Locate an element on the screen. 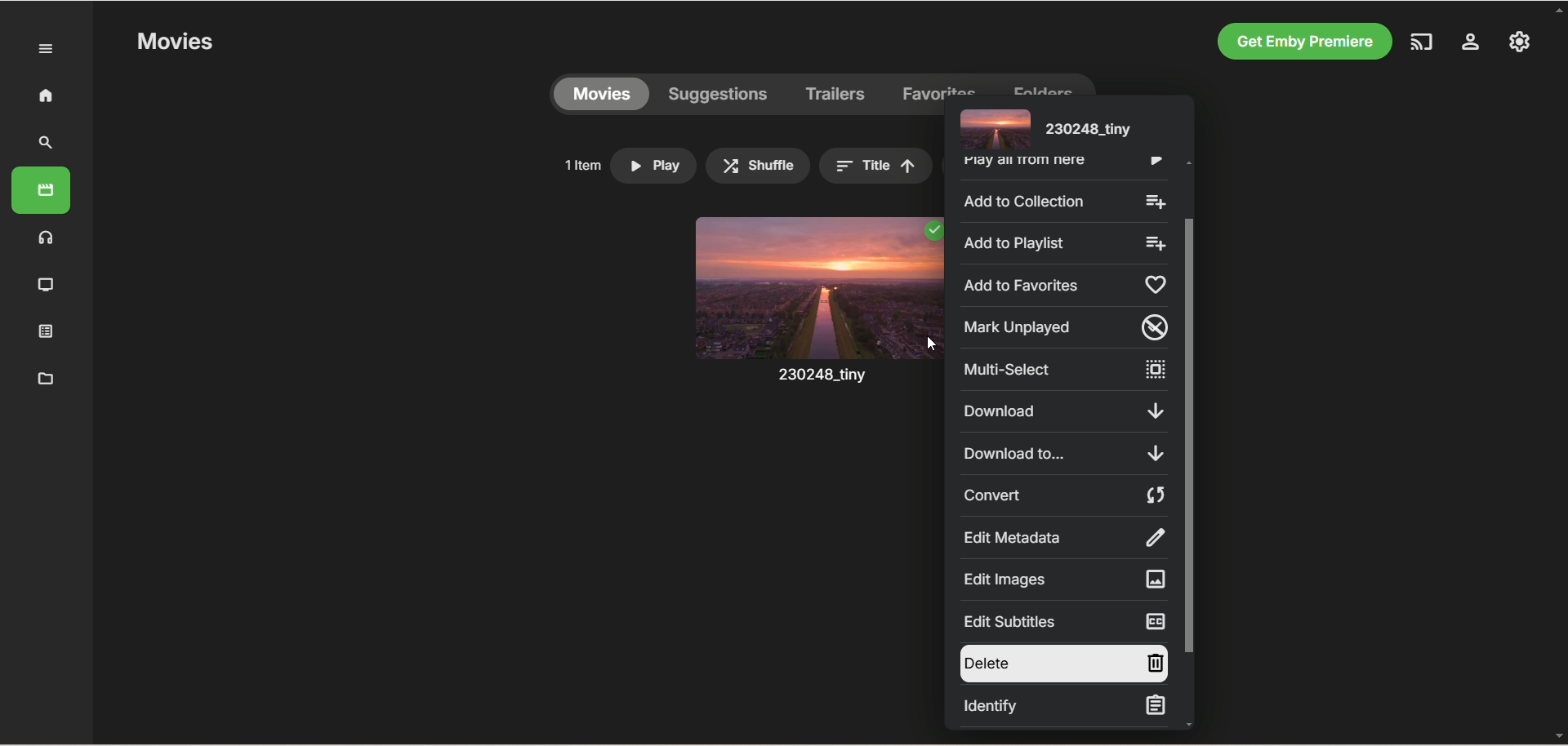 This screenshot has height=746, width=1568. manage emby  server is located at coordinates (1520, 41).